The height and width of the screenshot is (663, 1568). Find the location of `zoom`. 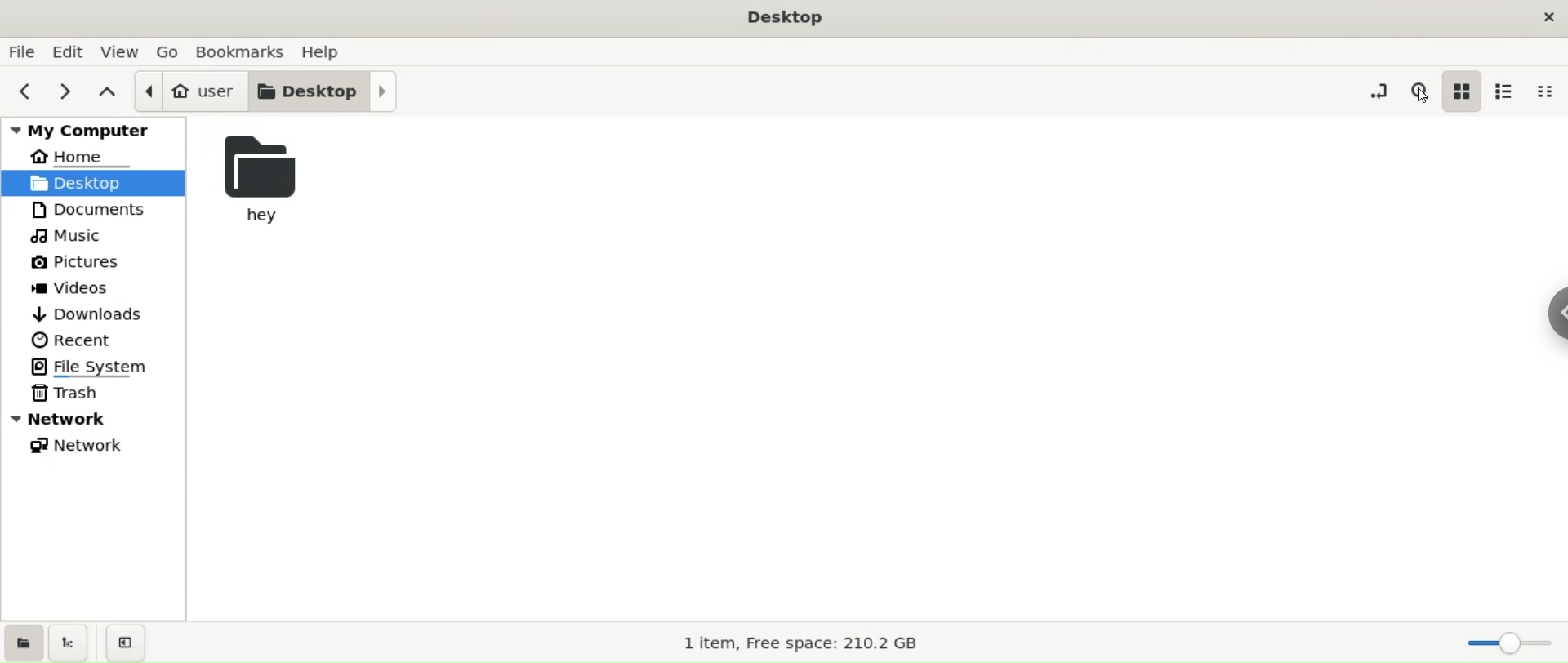

zoom is located at coordinates (1512, 644).